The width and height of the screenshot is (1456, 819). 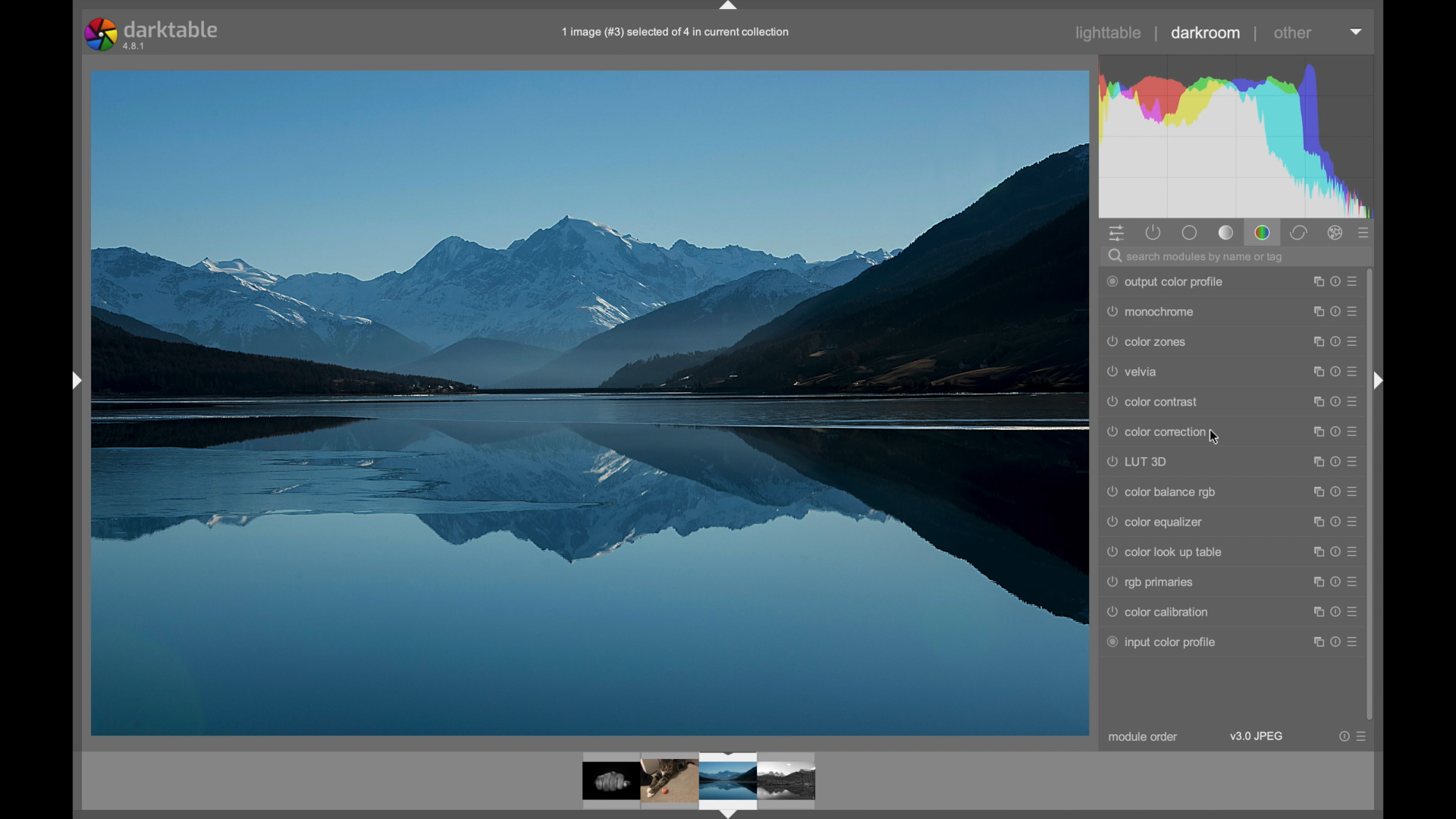 What do you see at coordinates (677, 33) in the screenshot?
I see `1 image` at bounding box center [677, 33].